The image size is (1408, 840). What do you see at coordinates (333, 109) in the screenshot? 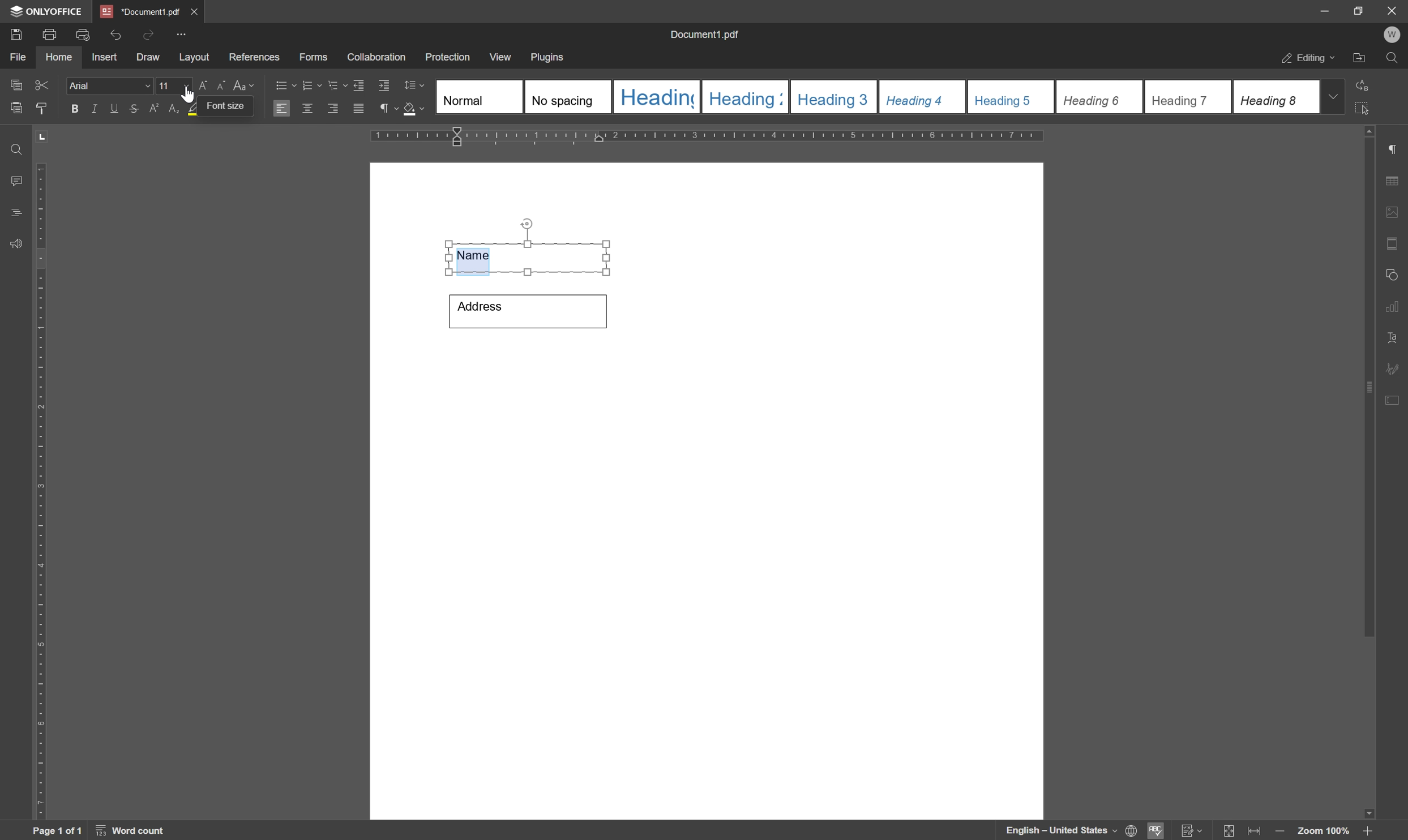
I see `Align right` at bounding box center [333, 109].